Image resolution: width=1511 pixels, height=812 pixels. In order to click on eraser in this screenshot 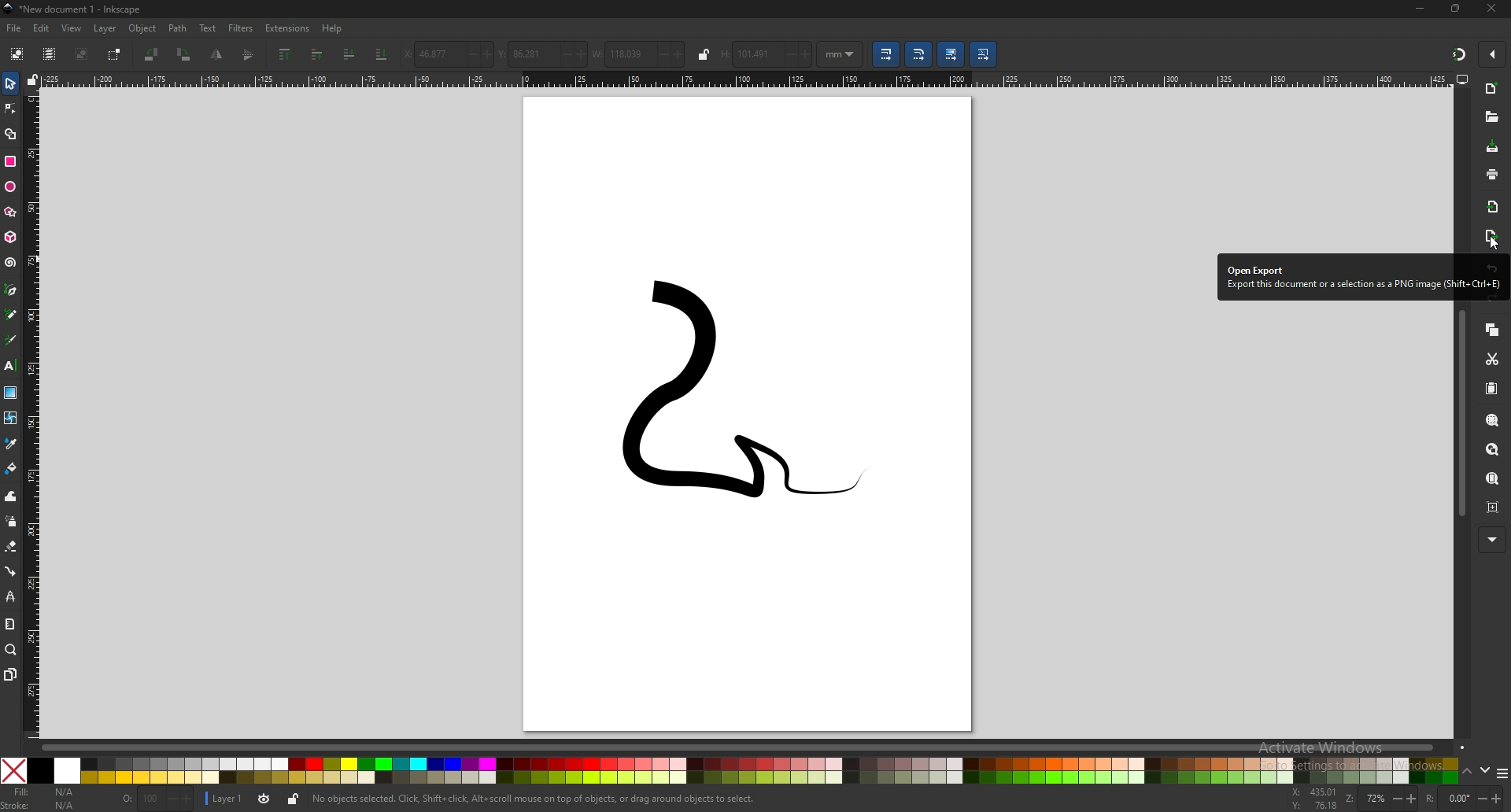, I will do `click(11, 547)`.